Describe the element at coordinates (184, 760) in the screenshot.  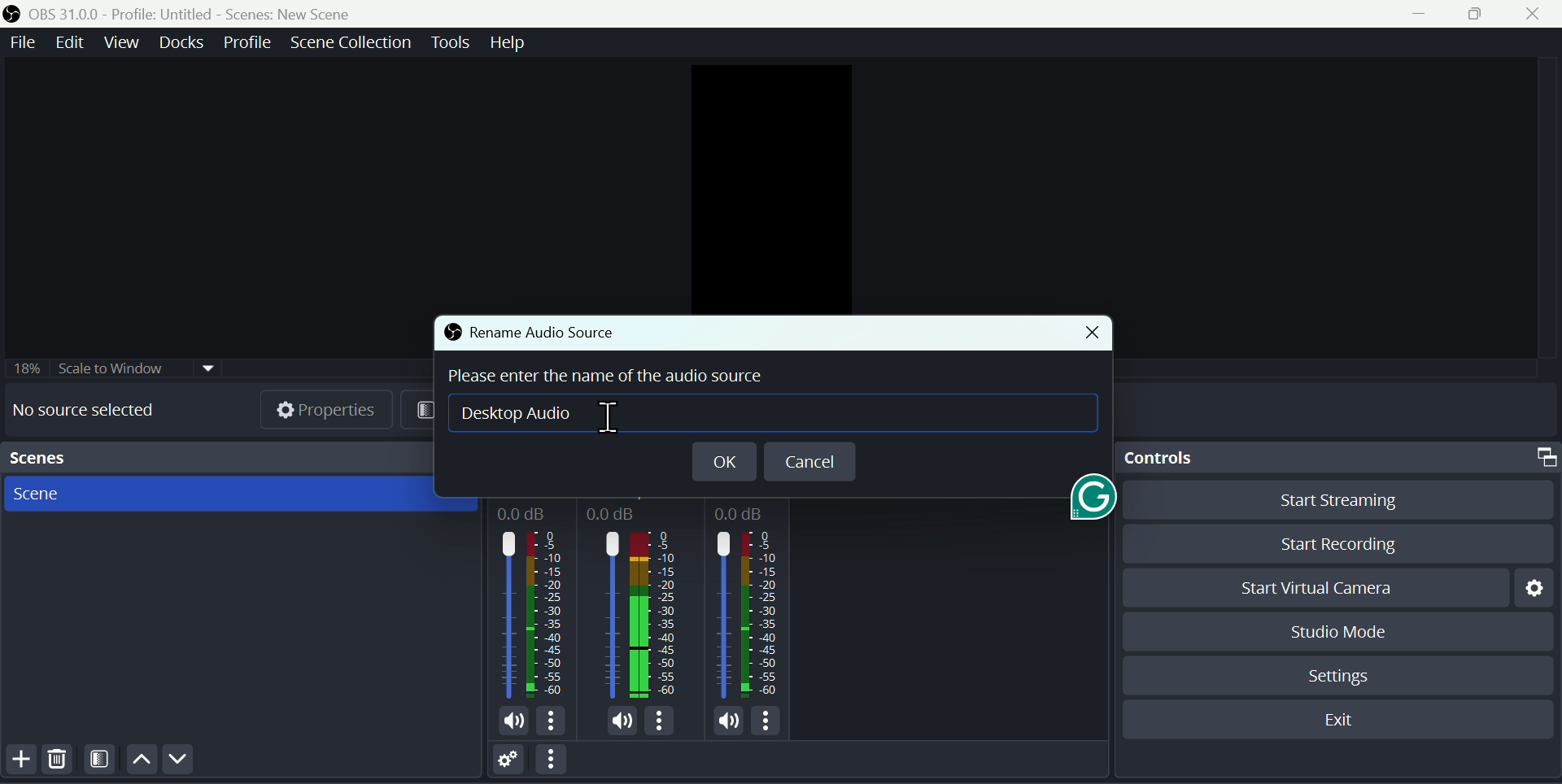
I see `Down` at that location.